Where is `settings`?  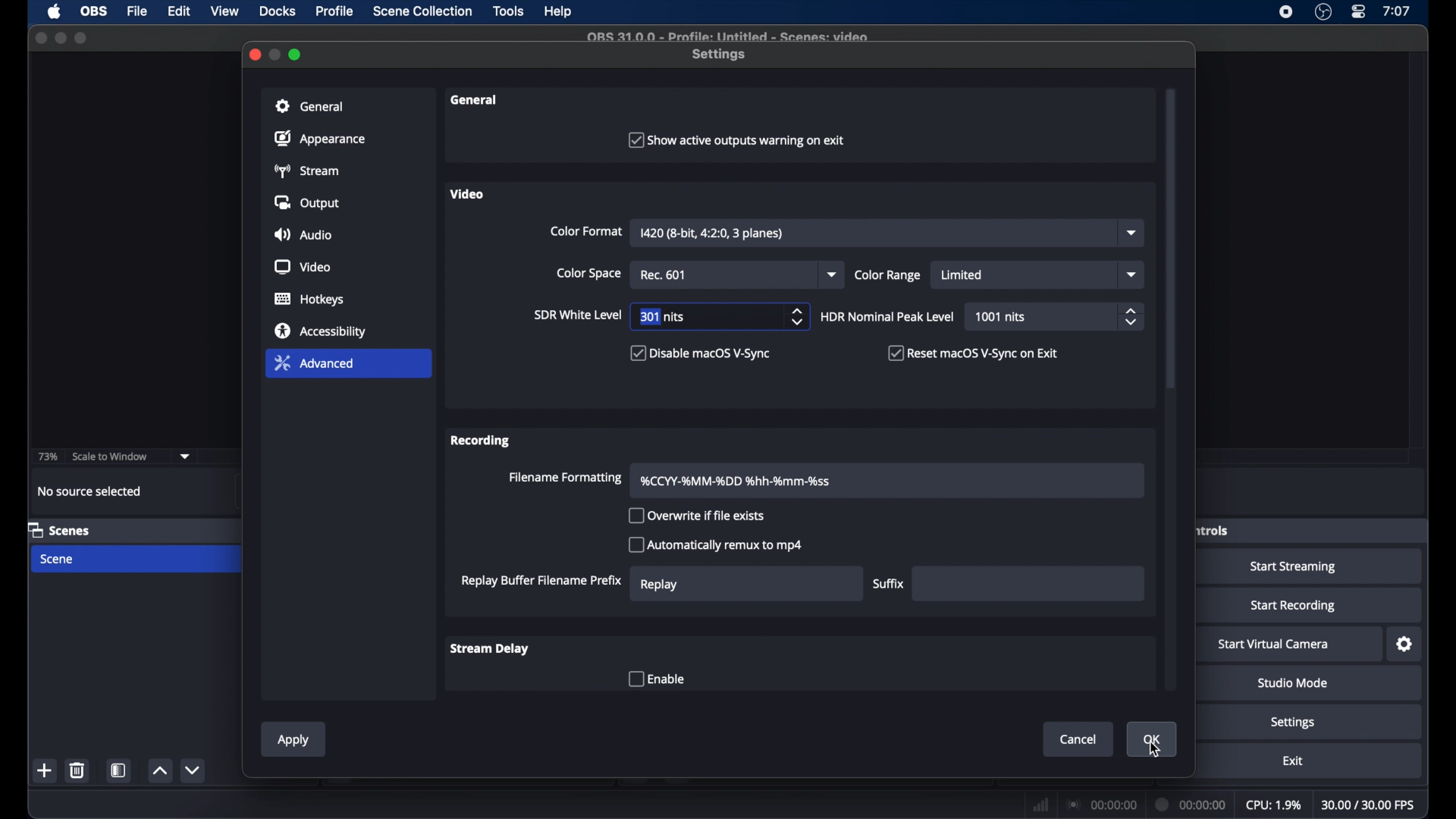
settings is located at coordinates (720, 55).